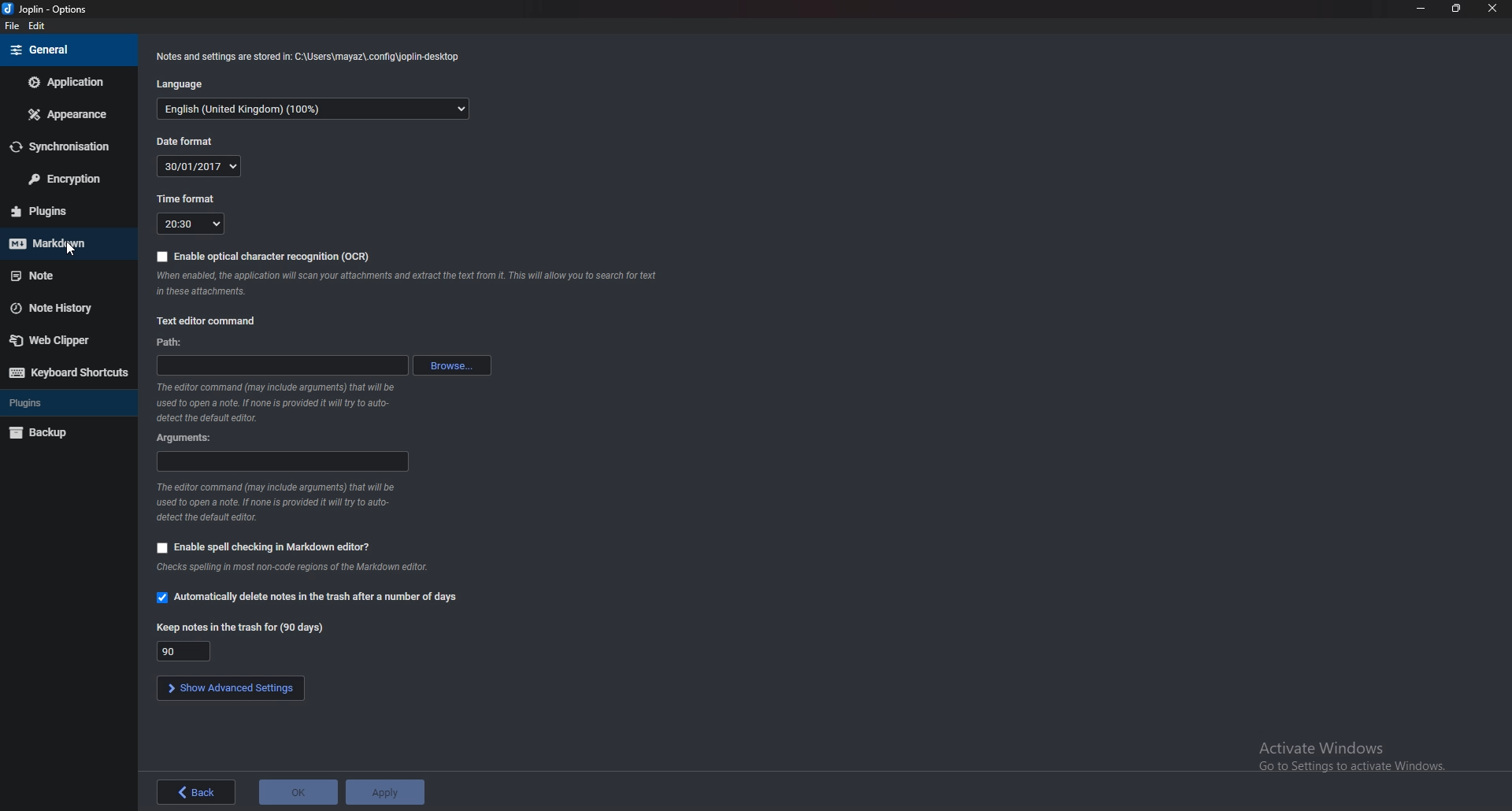 The height and width of the screenshot is (811, 1512). I want to click on Minimize, so click(1421, 9).